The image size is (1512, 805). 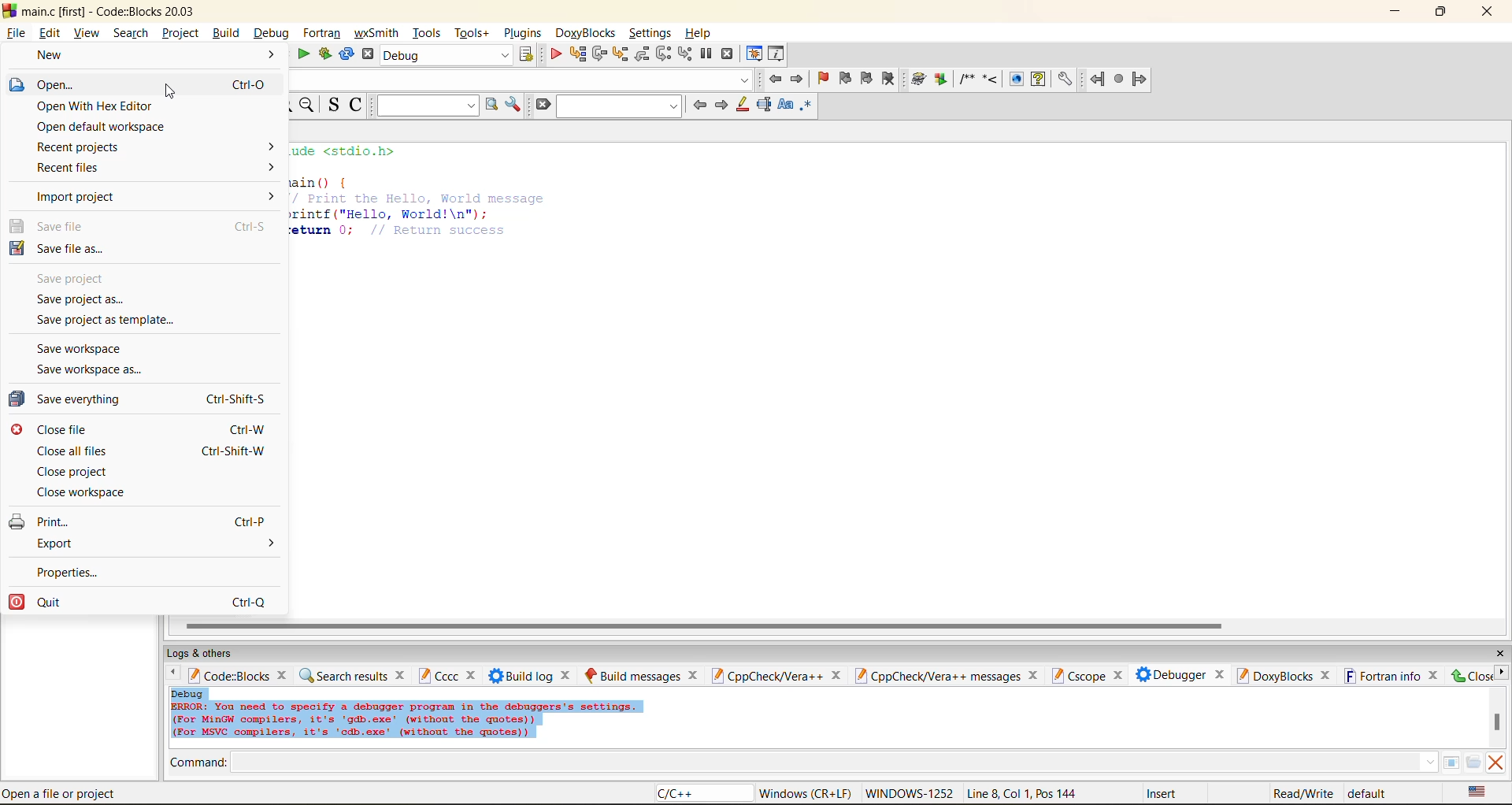 I want to click on save file as, so click(x=145, y=250).